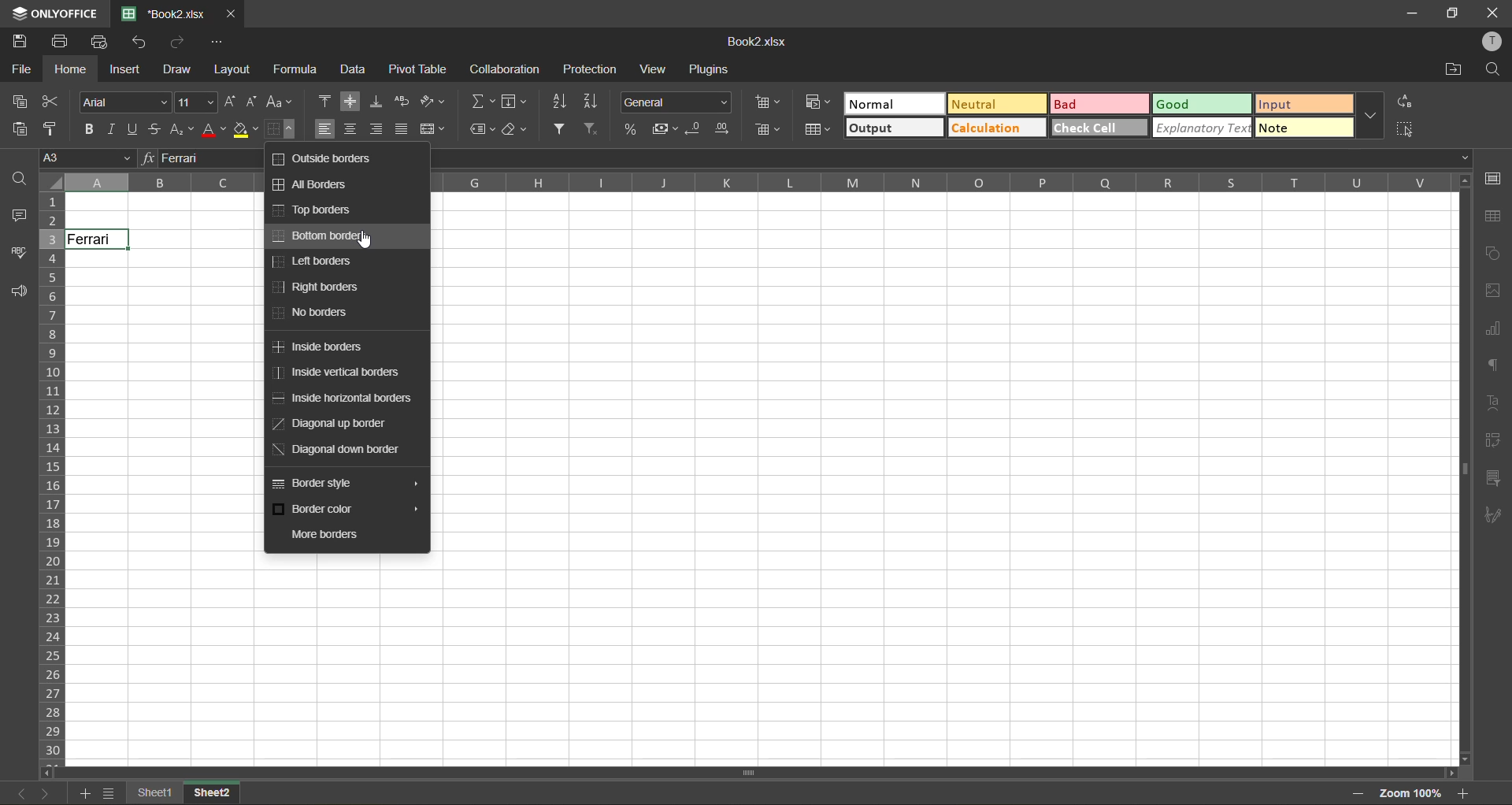 This screenshot has width=1512, height=805. I want to click on insert cells, so click(765, 103).